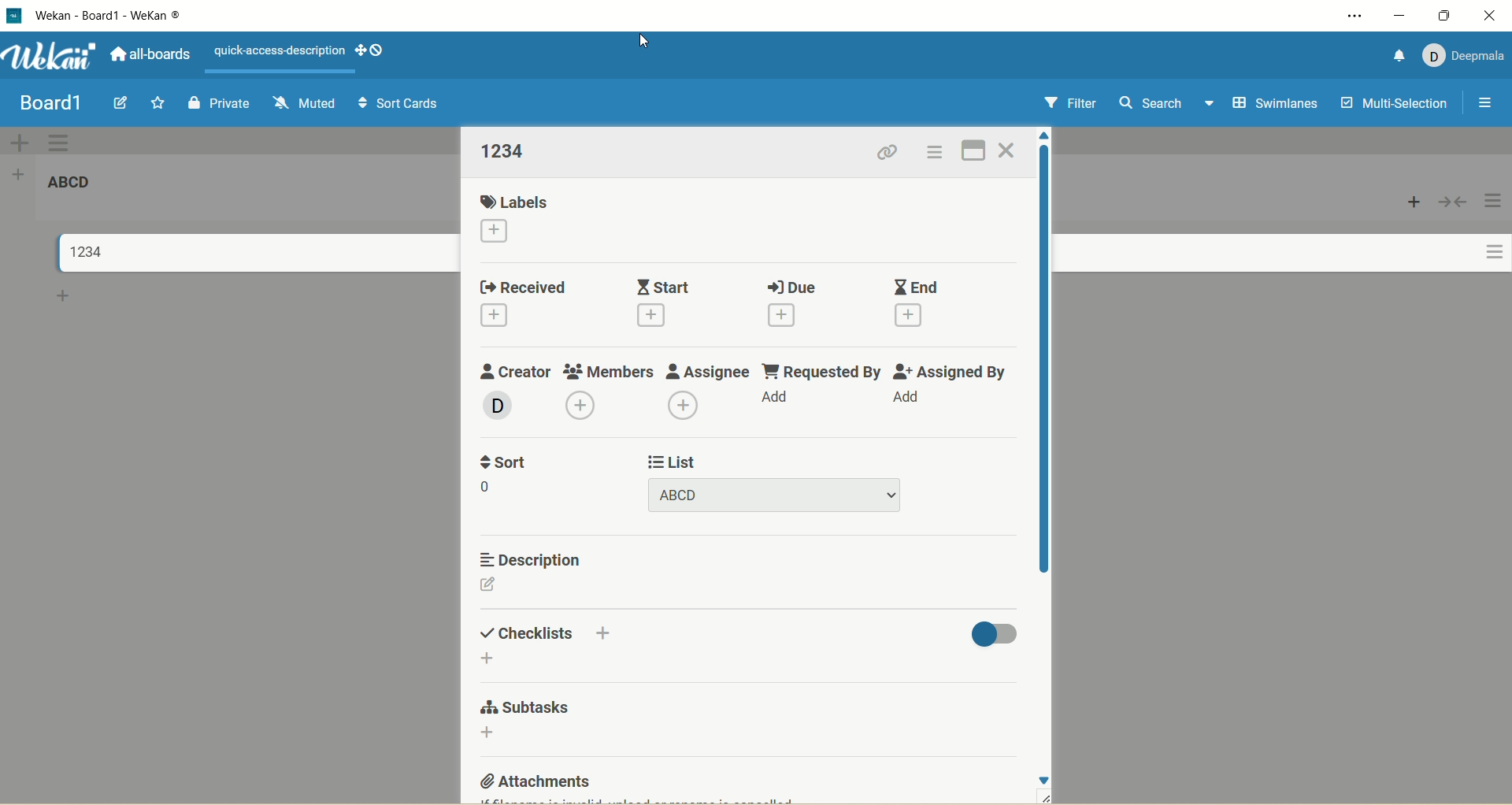  What do you see at coordinates (1449, 14) in the screenshot?
I see `maximize` at bounding box center [1449, 14].